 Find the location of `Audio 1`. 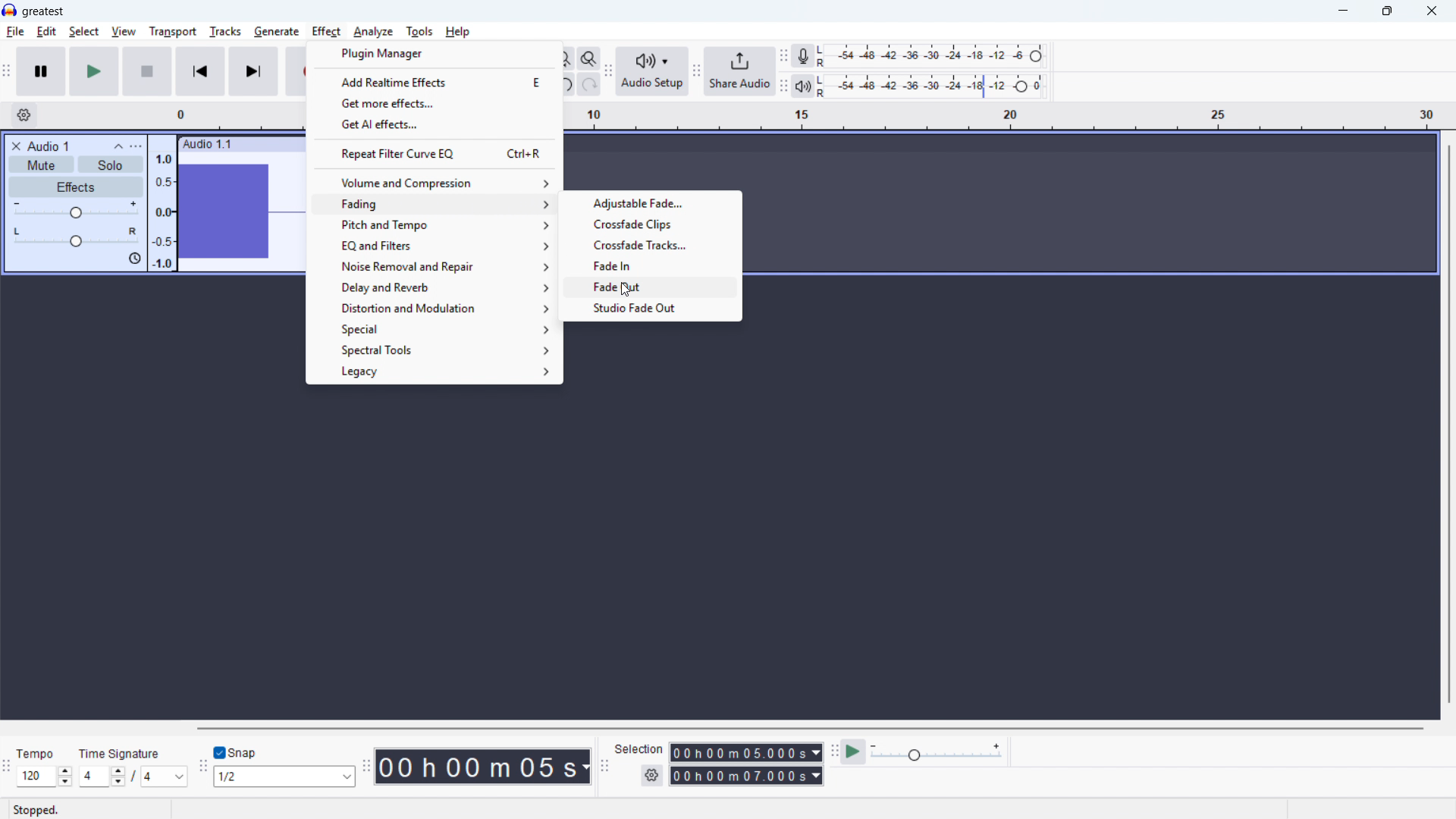

Audio 1 is located at coordinates (49, 146).